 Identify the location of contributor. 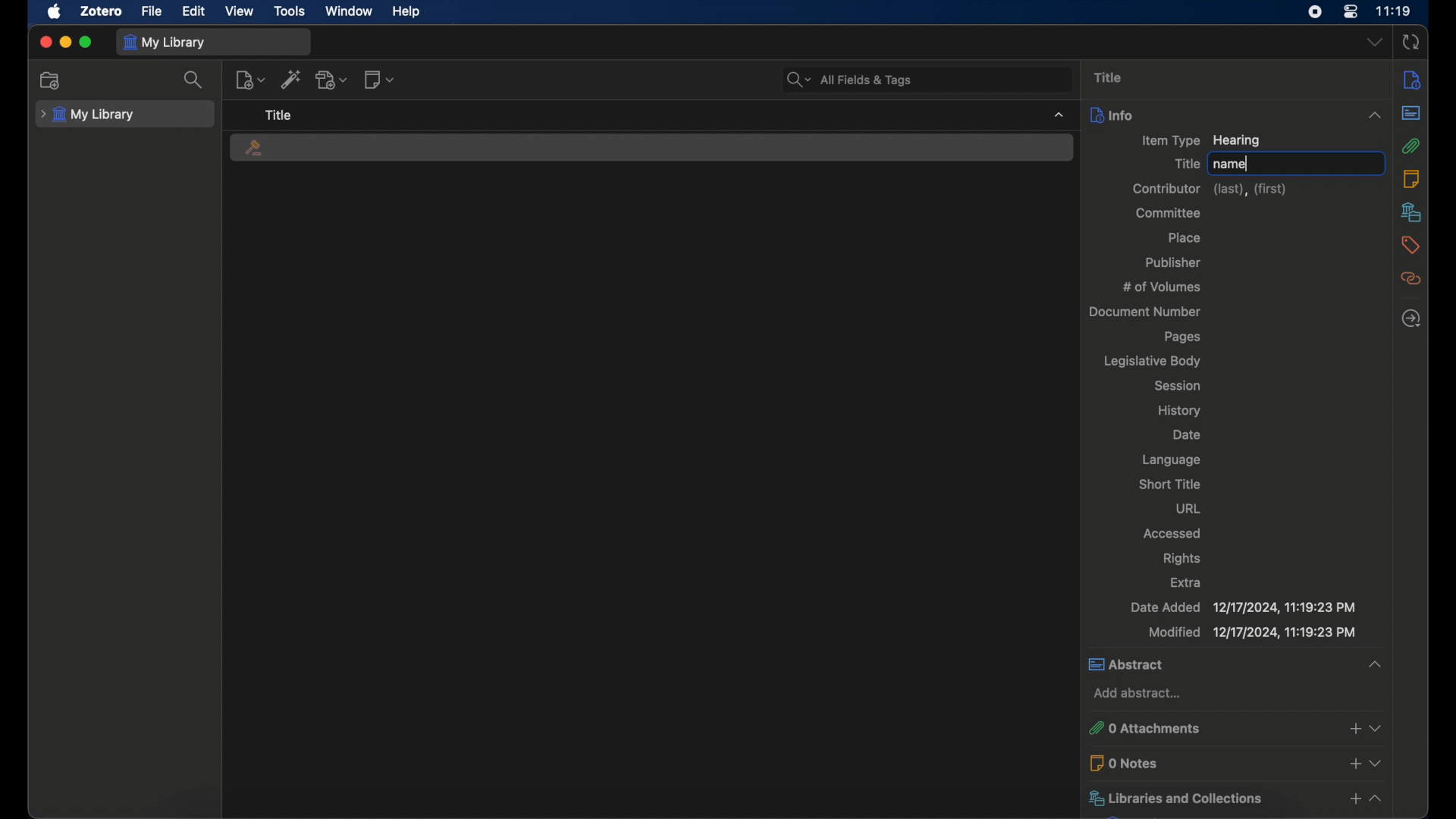
(1212, 190).